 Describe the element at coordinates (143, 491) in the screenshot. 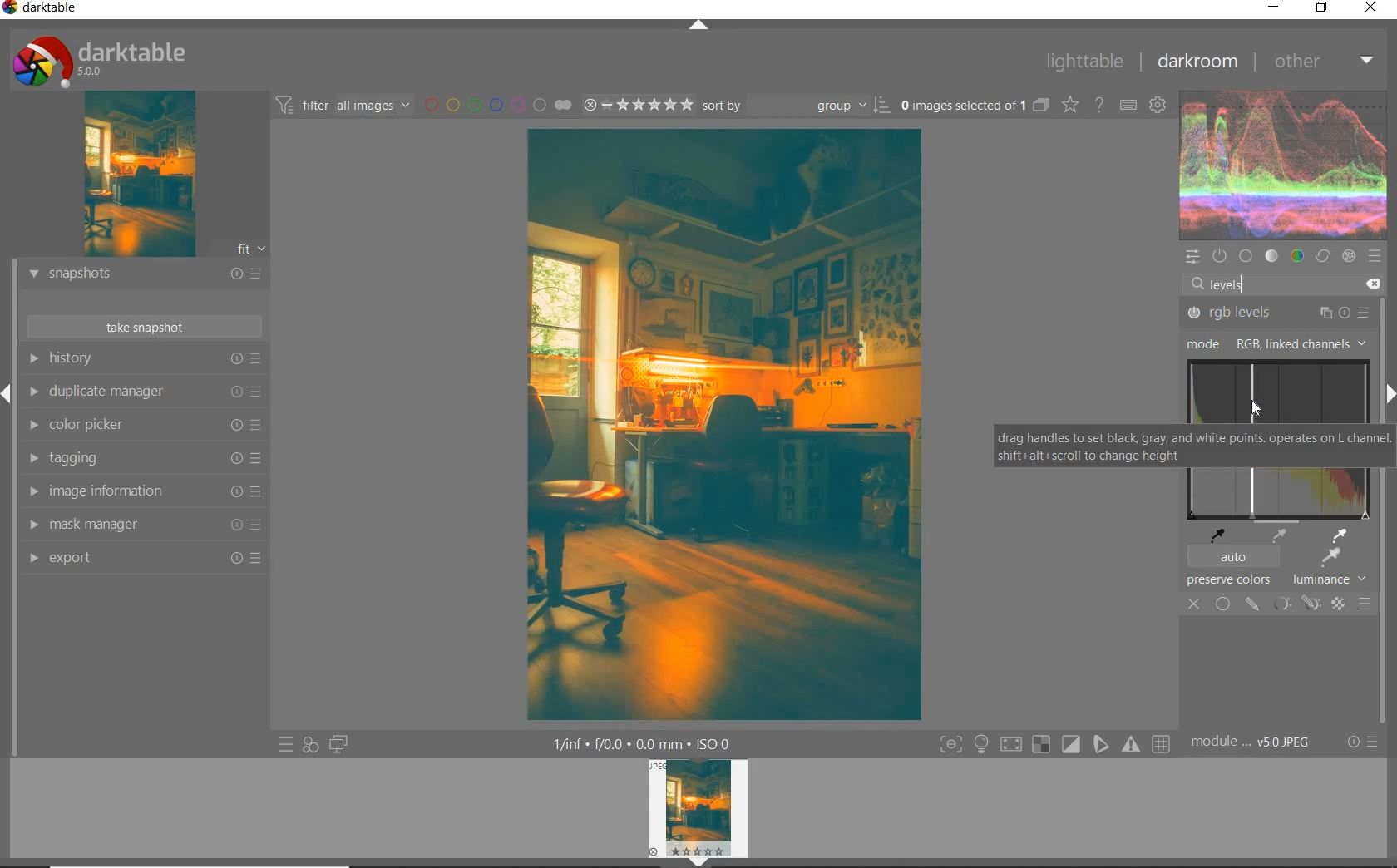

I see `image information` at that location.